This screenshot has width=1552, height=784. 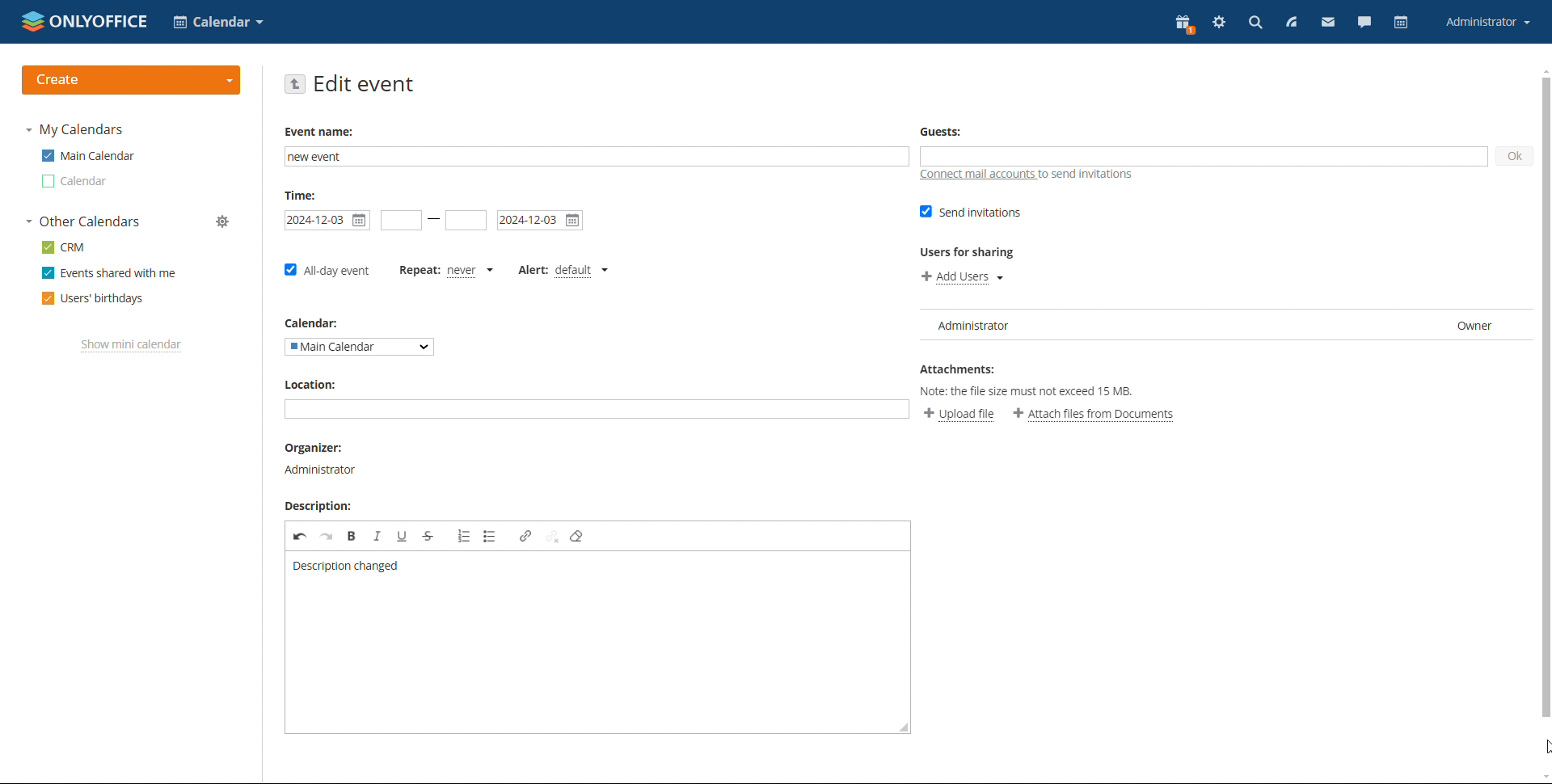 I want to click on insert/remove bulleted list, so click(x=490, y=537).